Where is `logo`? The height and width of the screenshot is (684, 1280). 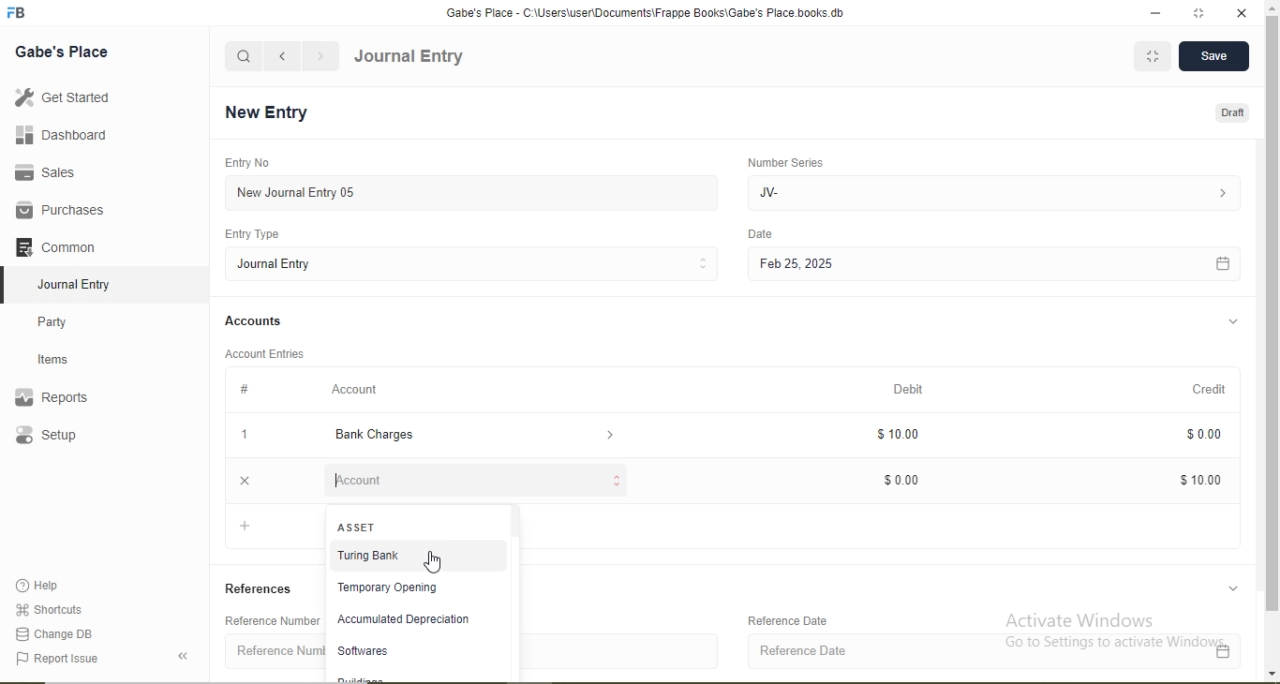
logo is located at coordinates (18, 13).